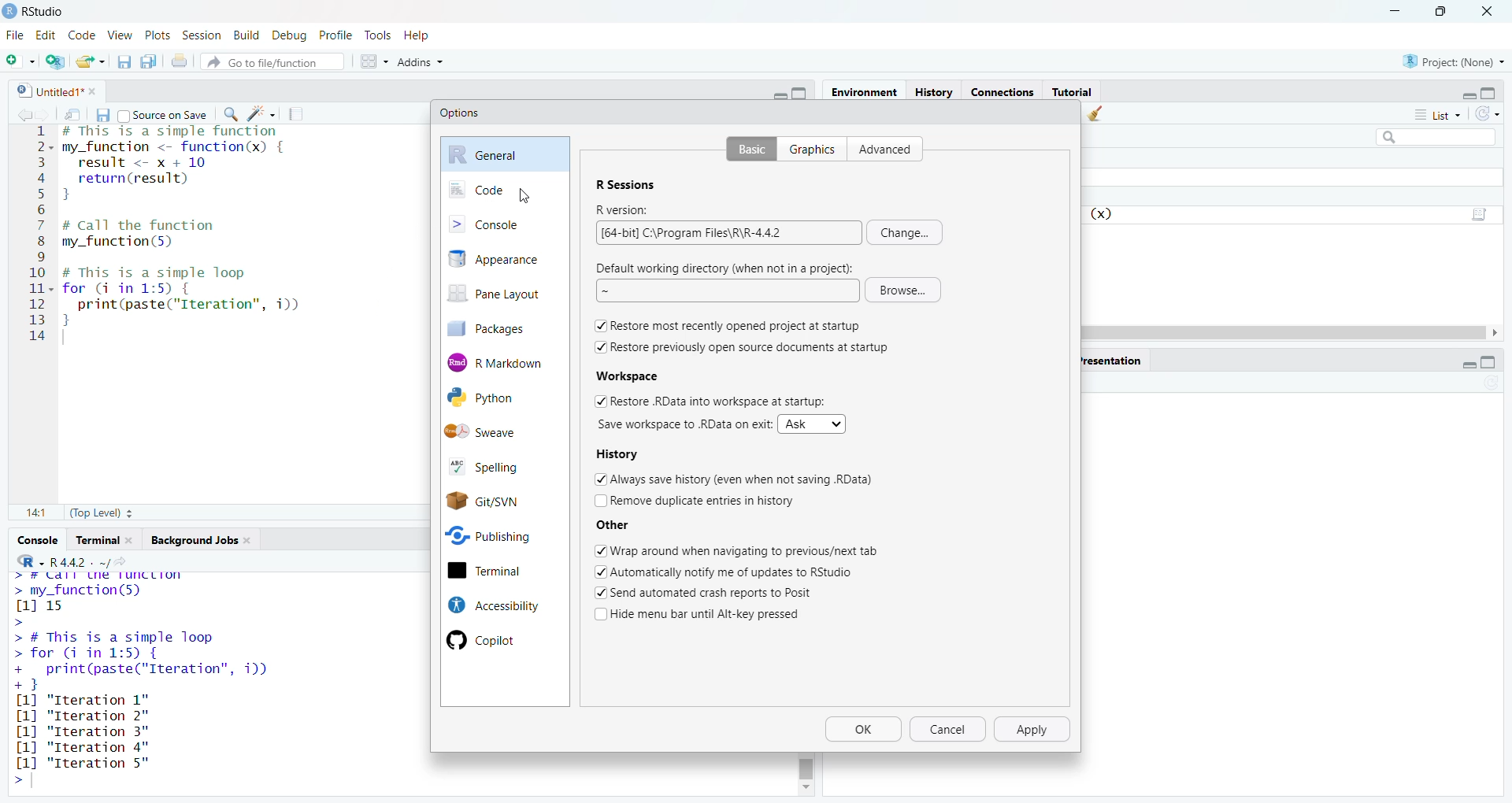  I want to click on save current document, so click(124, 61).